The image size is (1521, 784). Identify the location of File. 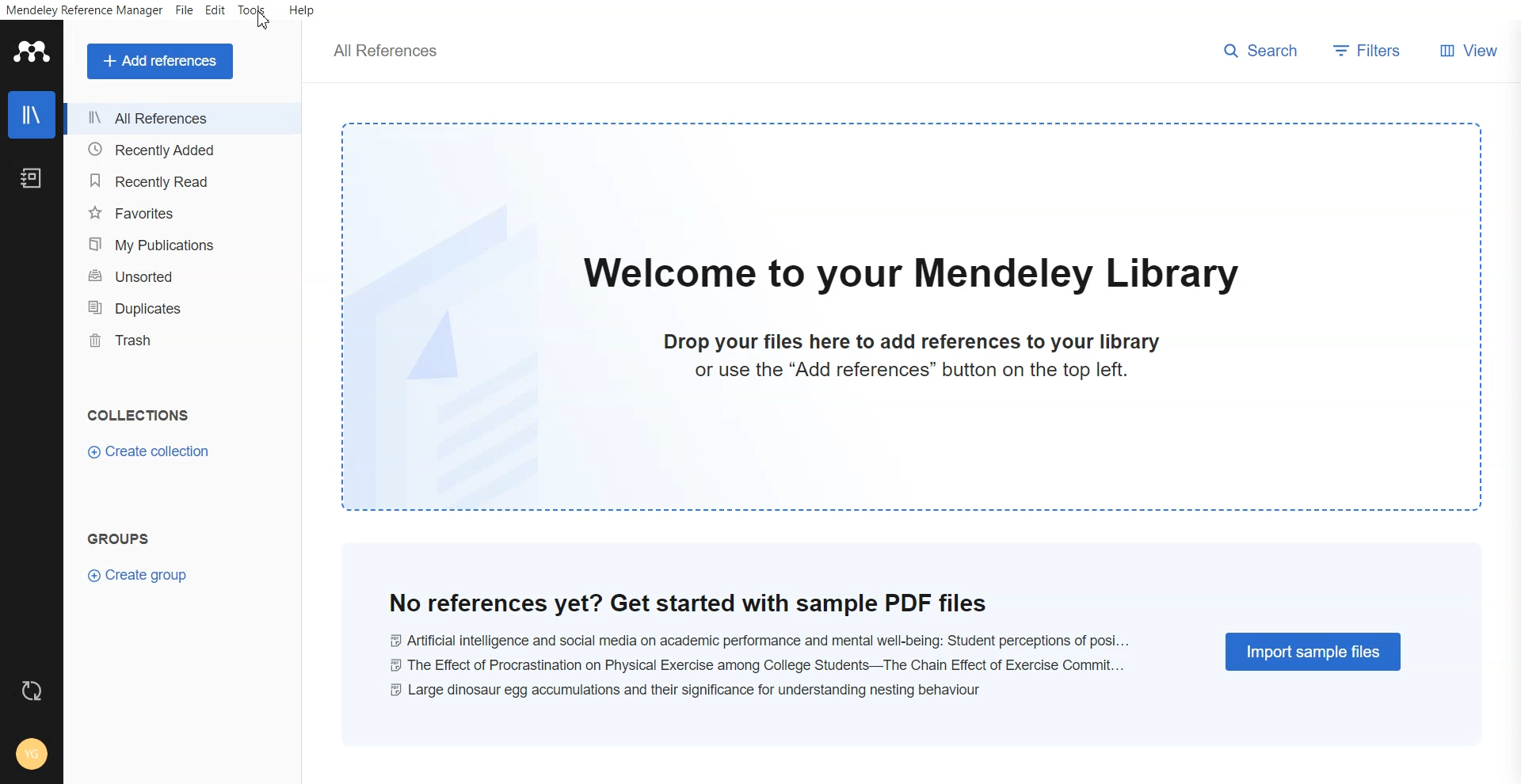
(184, 10).